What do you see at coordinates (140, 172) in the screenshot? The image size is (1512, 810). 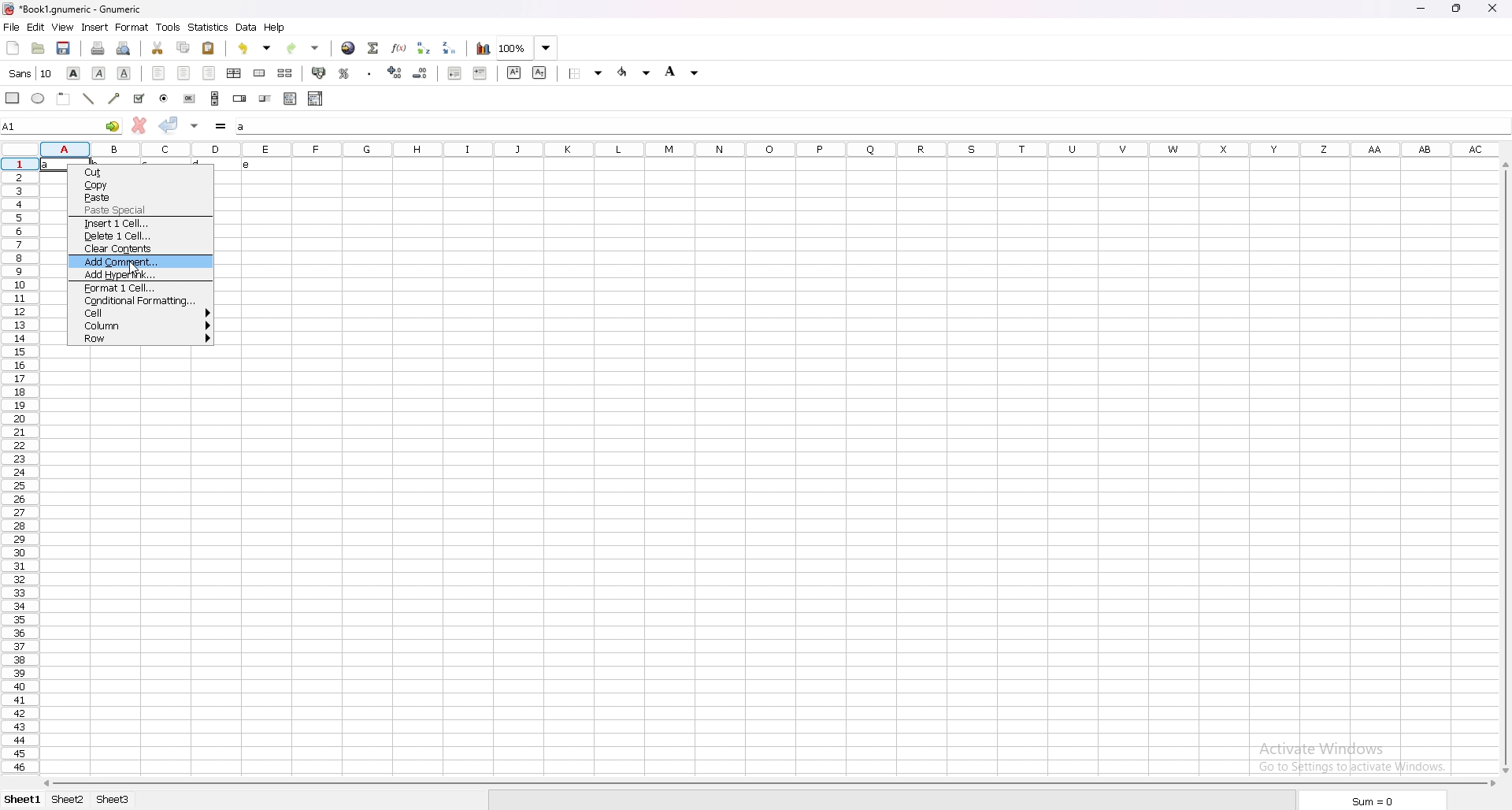 I see `cut` at bounding box center [140, 172].